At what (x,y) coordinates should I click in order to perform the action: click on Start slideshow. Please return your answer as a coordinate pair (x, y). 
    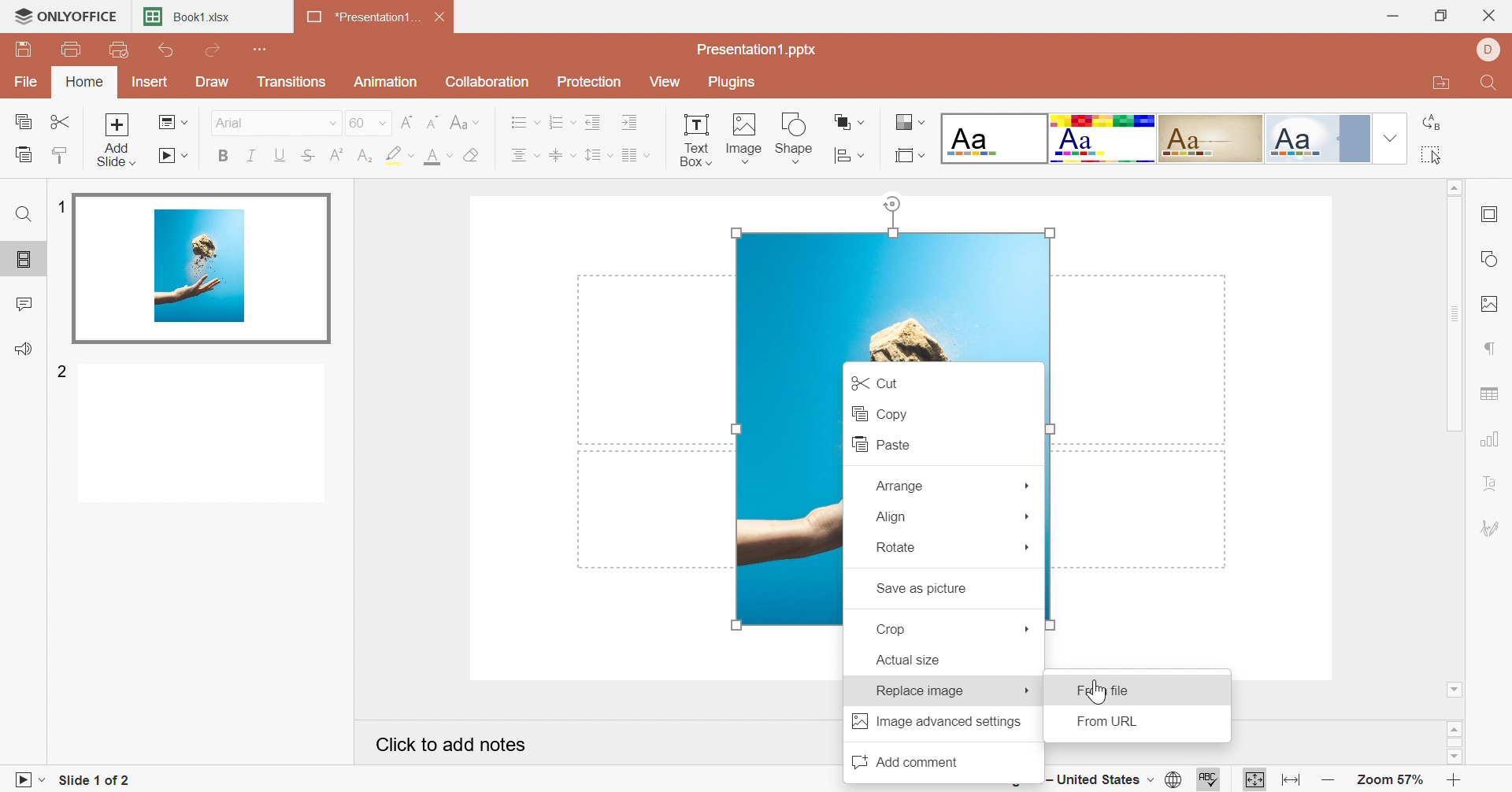
    Looking at the image, I should click on (175, 157).